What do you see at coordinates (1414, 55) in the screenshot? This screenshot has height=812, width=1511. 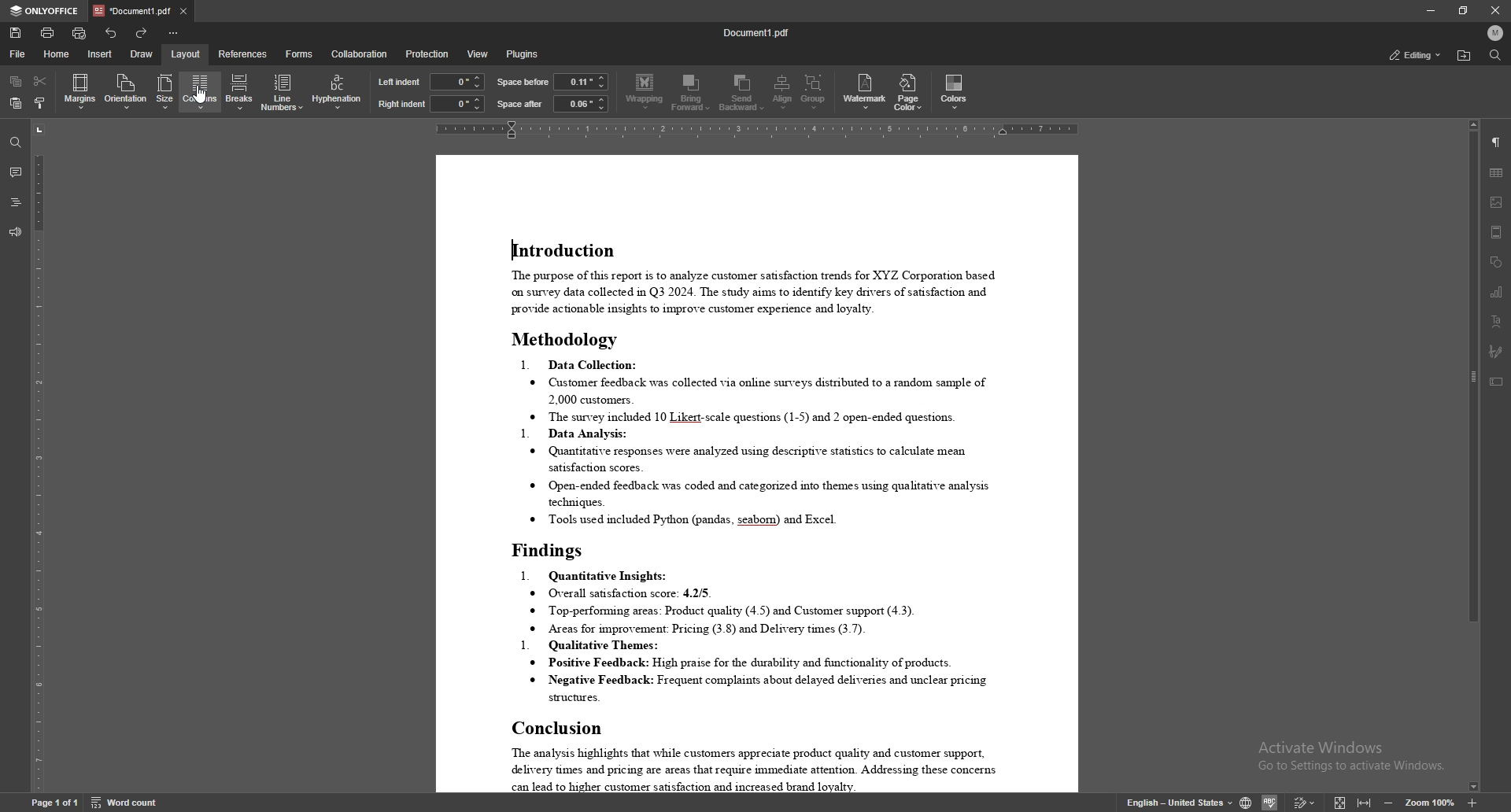 I see `status` at bounding box center [1414, 55].